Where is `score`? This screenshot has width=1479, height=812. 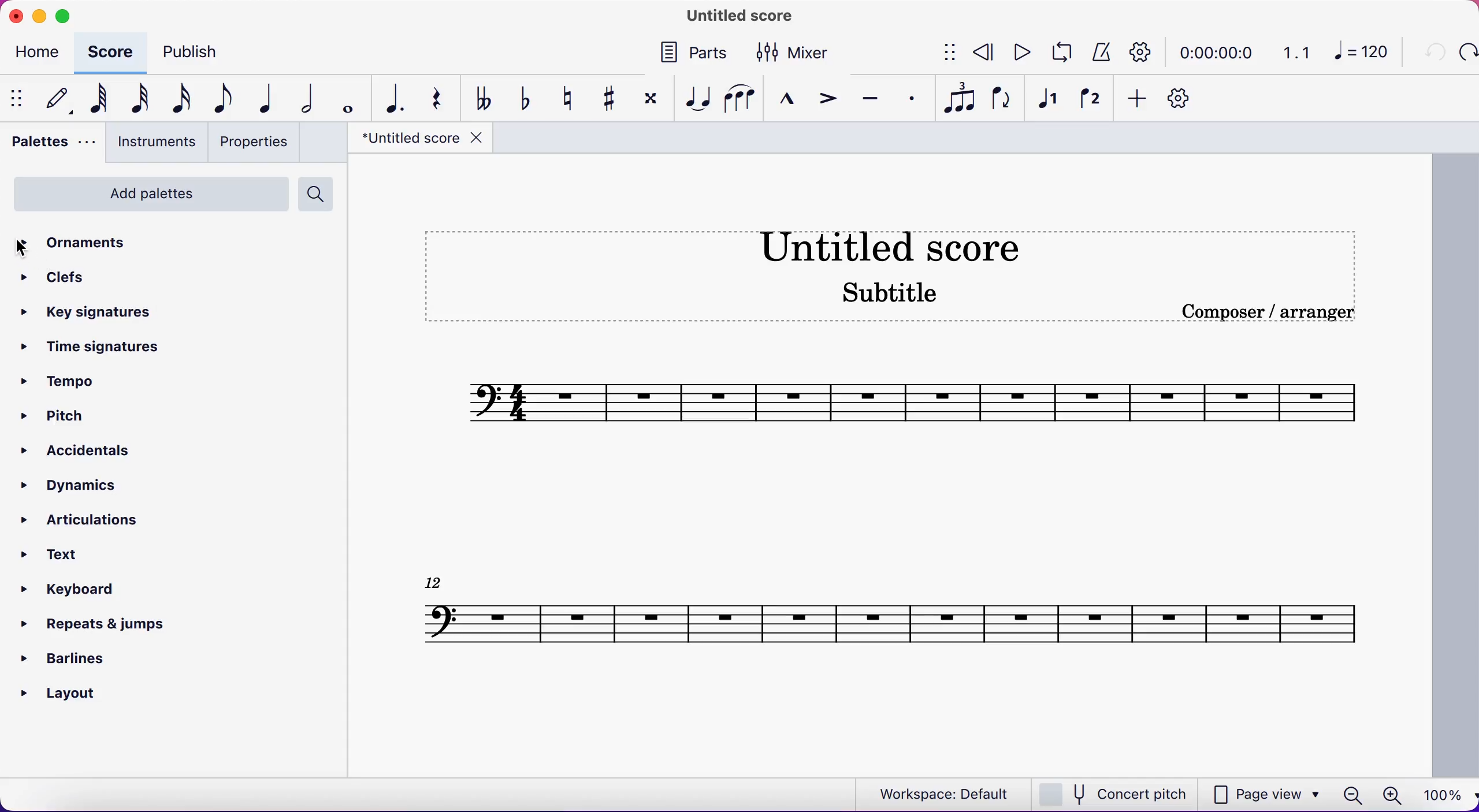
score is located at coordinates (916, 400).